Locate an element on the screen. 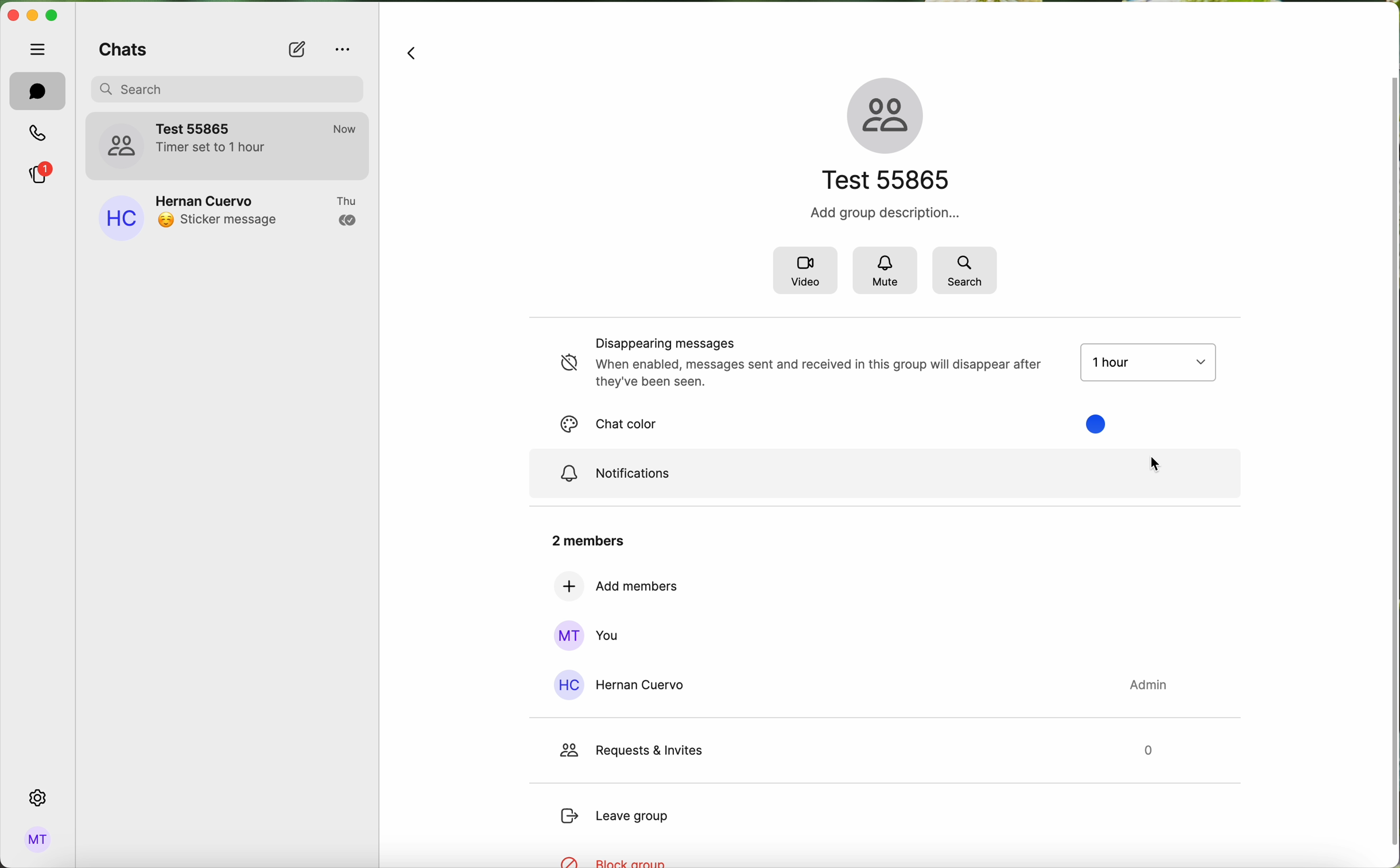 This screenshot has height=868, width=1400. navigate back is located at coordinates (413, 52).